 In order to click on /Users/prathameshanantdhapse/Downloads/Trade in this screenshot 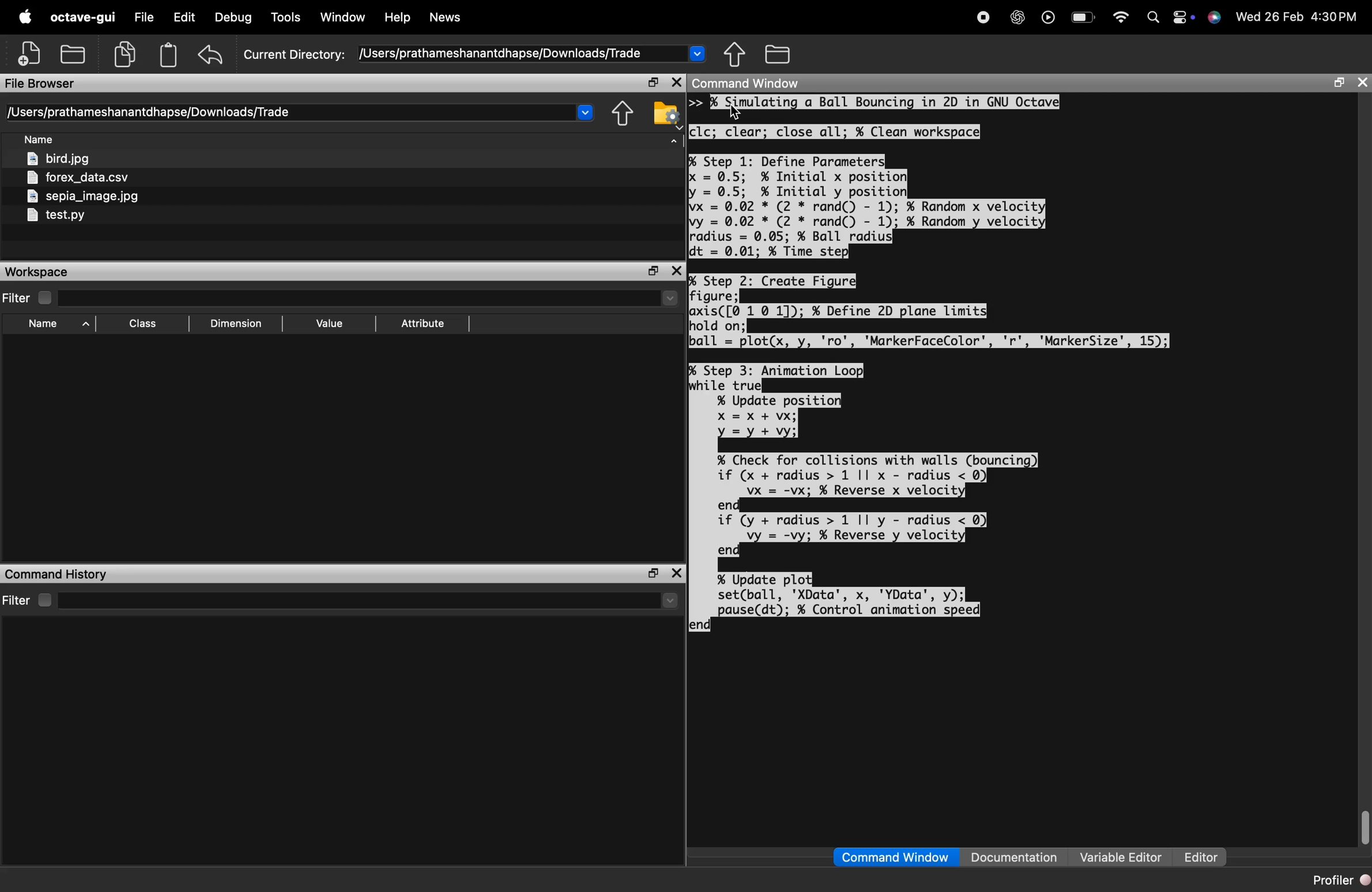, I will do `click(149, 112)`.